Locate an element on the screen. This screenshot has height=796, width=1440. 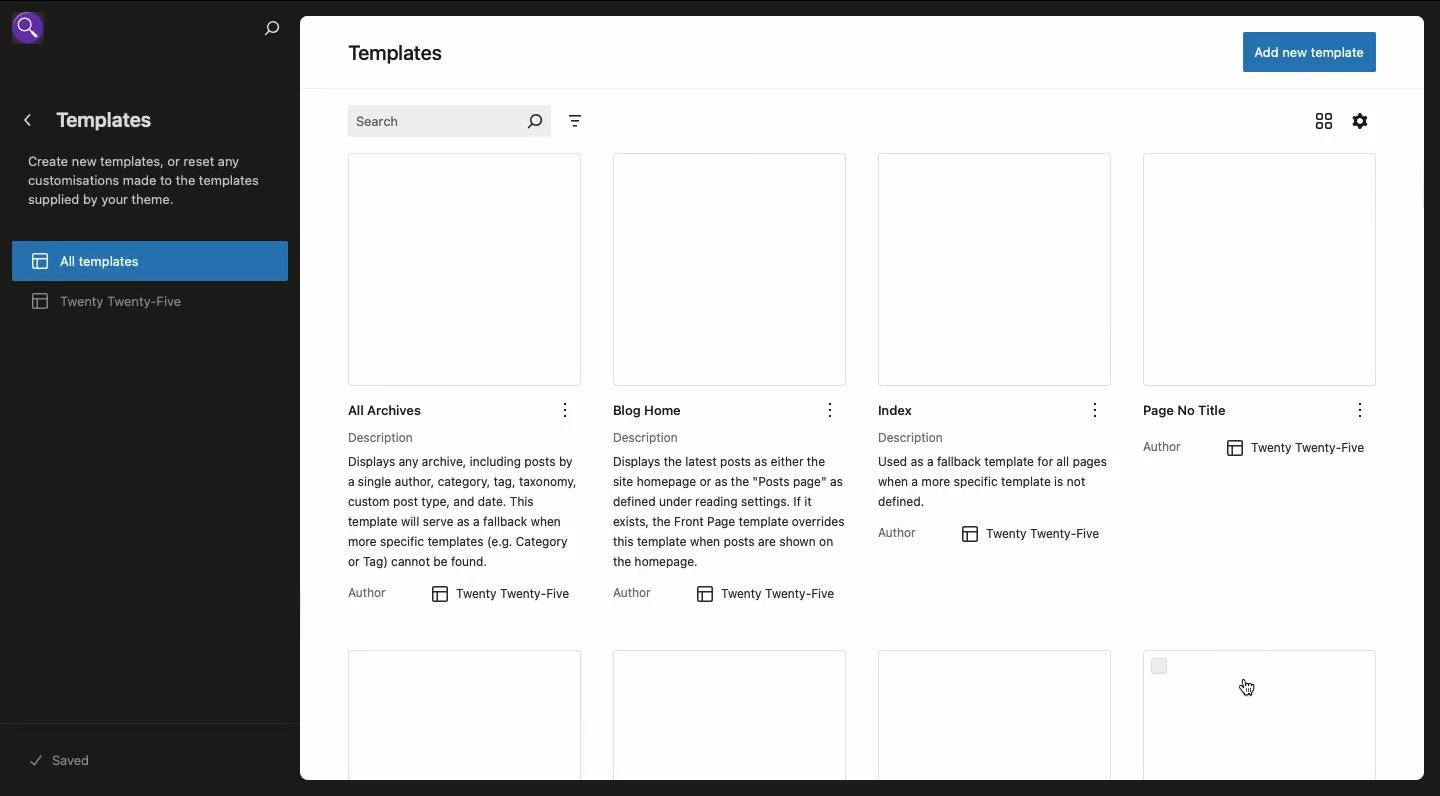
Templates is located at coordinates (733, 715).